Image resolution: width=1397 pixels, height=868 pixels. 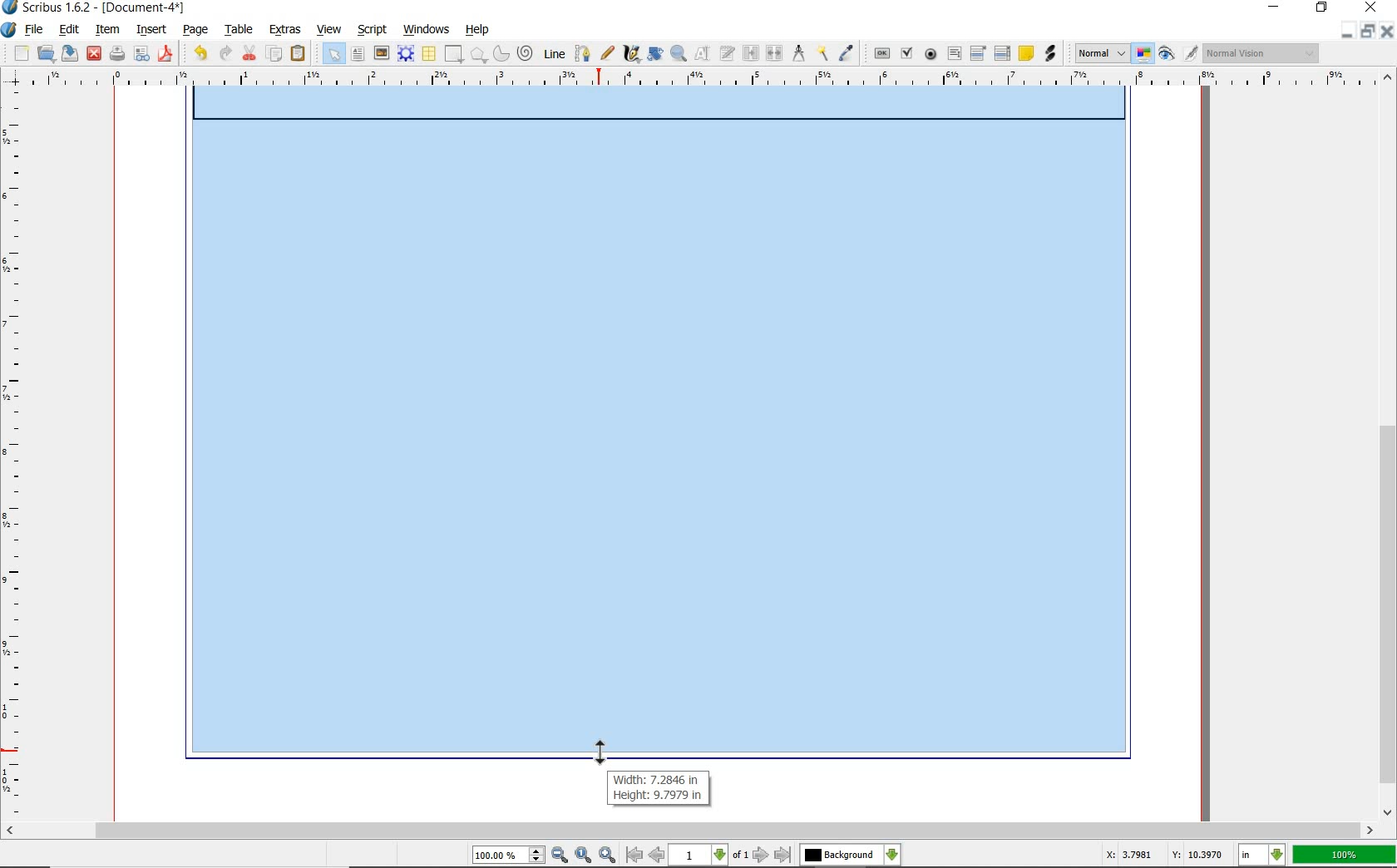 What do you see at coordinates (96, 8) in the screenshot?
I see `Scribus 1.6.2 - [Document-4*]` at bounding box center [96, 8].